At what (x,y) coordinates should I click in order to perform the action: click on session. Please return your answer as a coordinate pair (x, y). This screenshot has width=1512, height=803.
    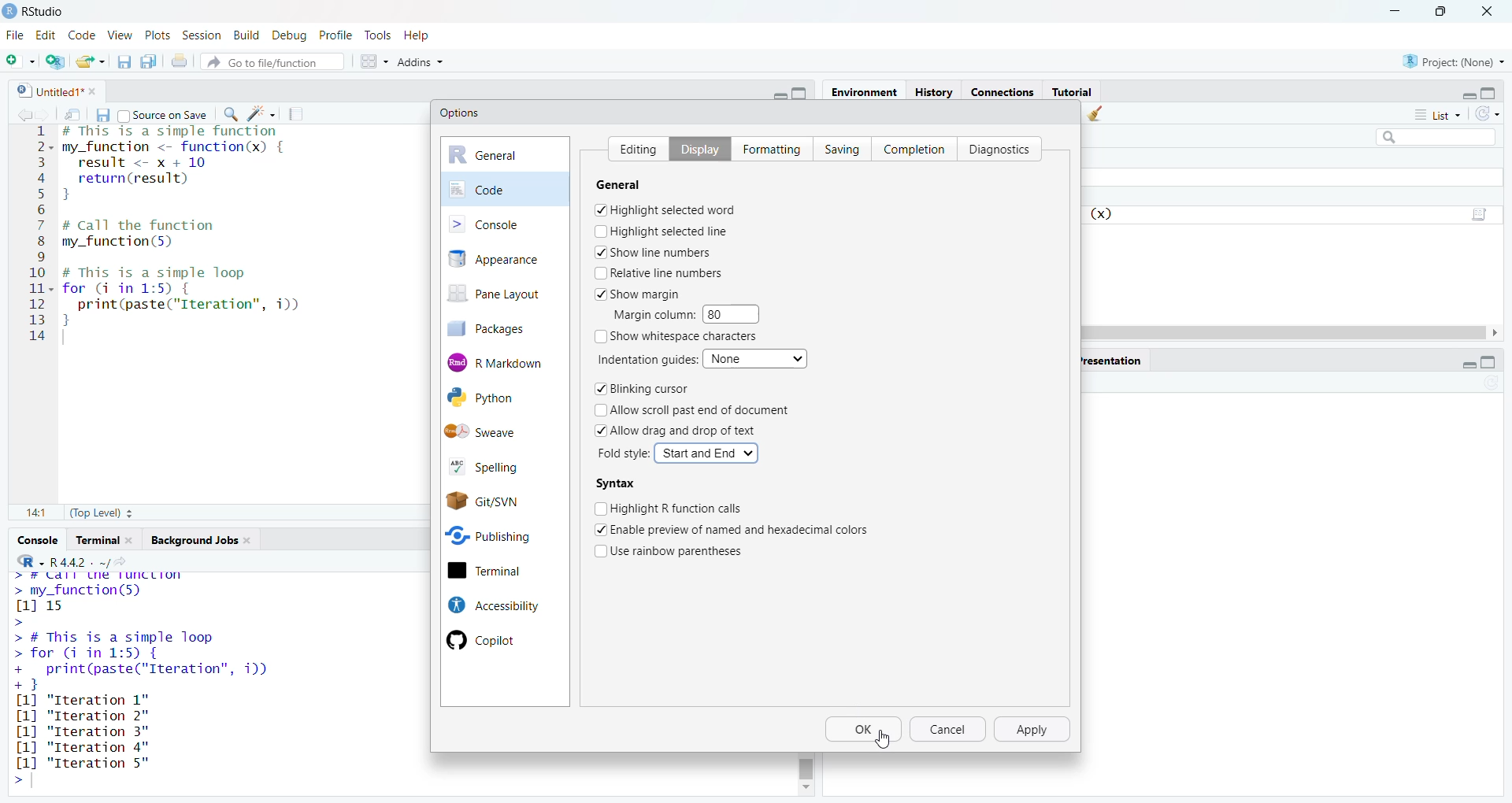
    Looking at the image, I should click on (200, 33).